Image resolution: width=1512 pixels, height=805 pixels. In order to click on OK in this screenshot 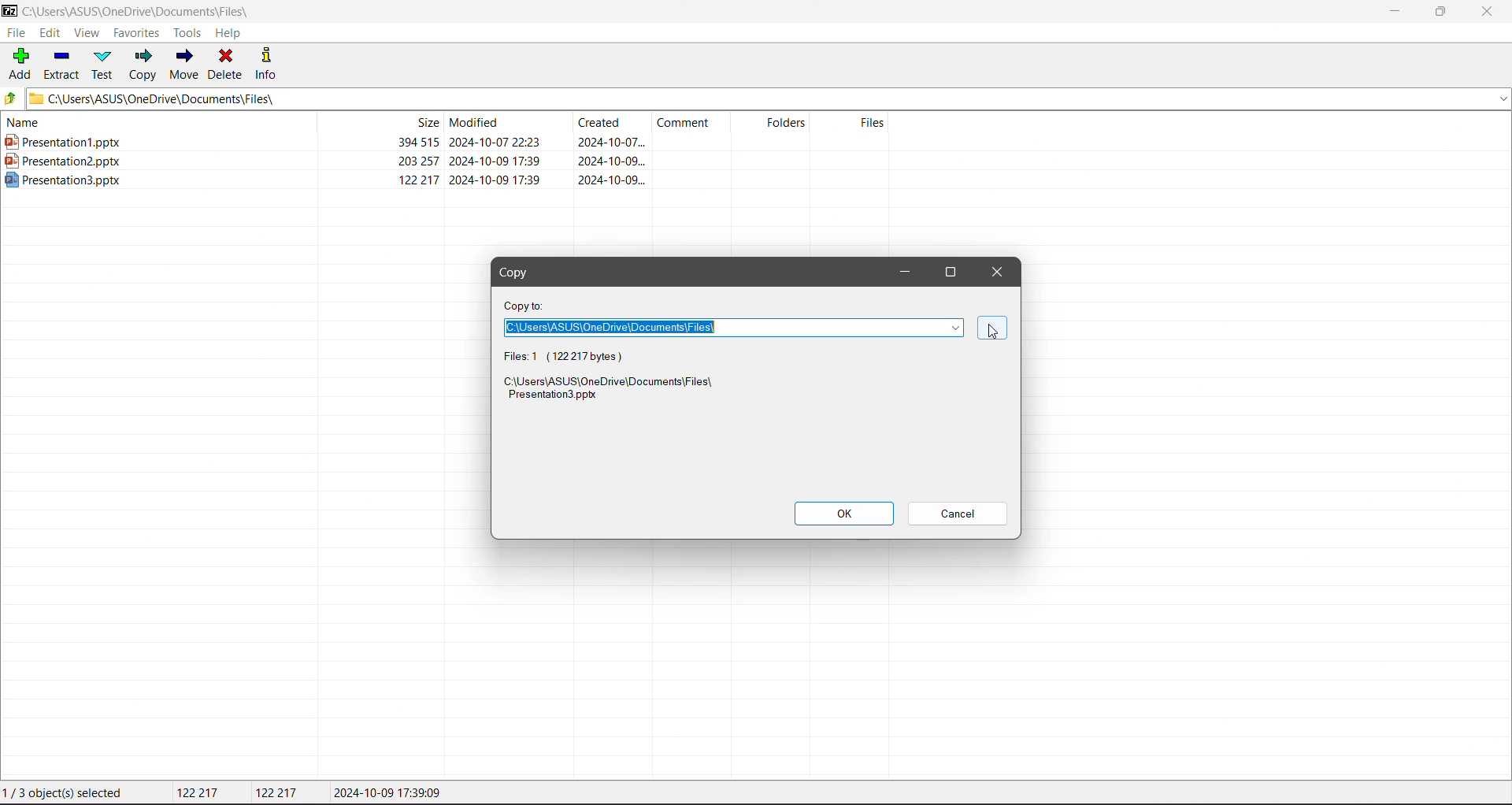, I will do `click(844, 514)`.